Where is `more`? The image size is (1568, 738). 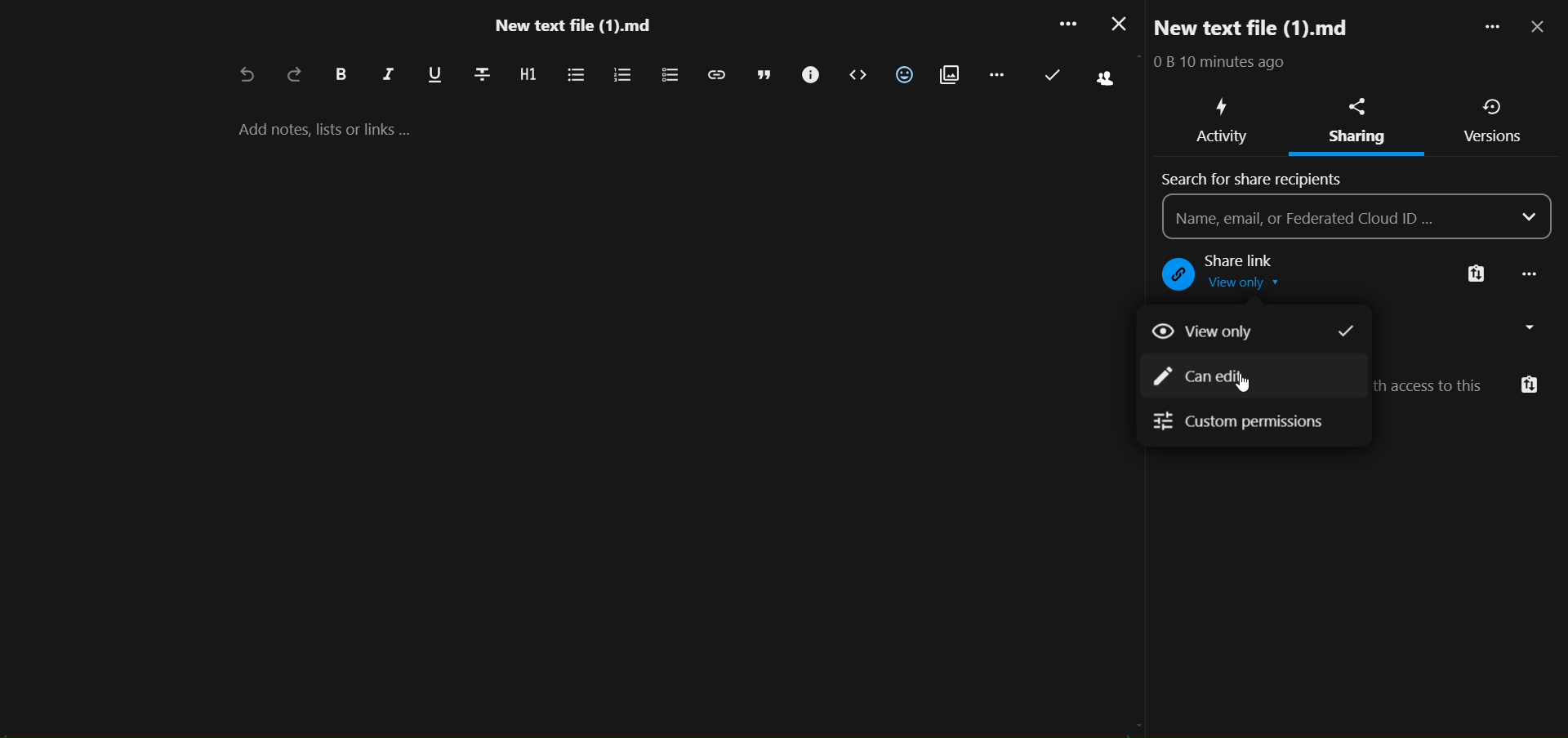
more is located at coordinates (1063, 27).